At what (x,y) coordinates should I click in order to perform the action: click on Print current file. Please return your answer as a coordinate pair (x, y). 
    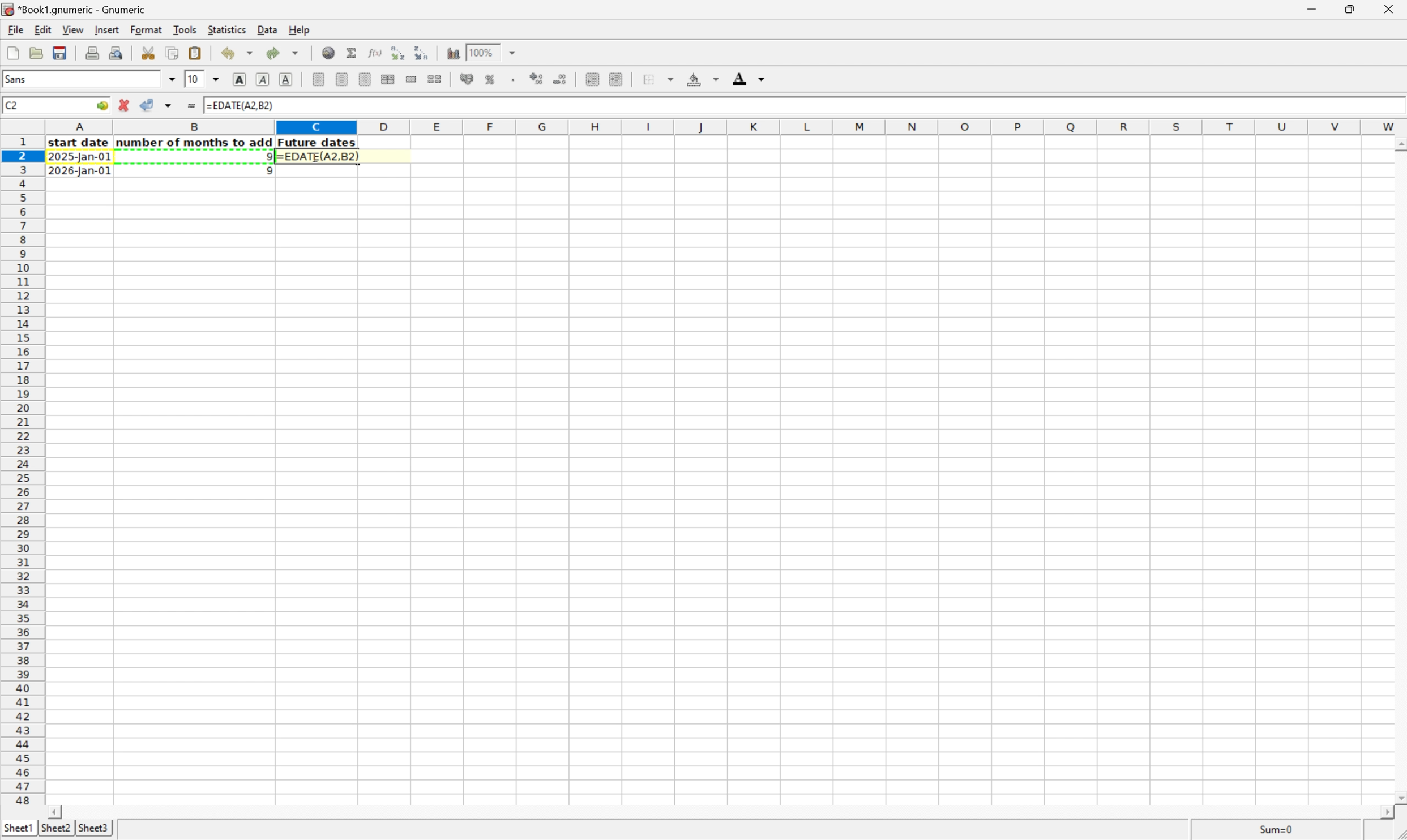
    Looking at the image, I should click on (94, 53).